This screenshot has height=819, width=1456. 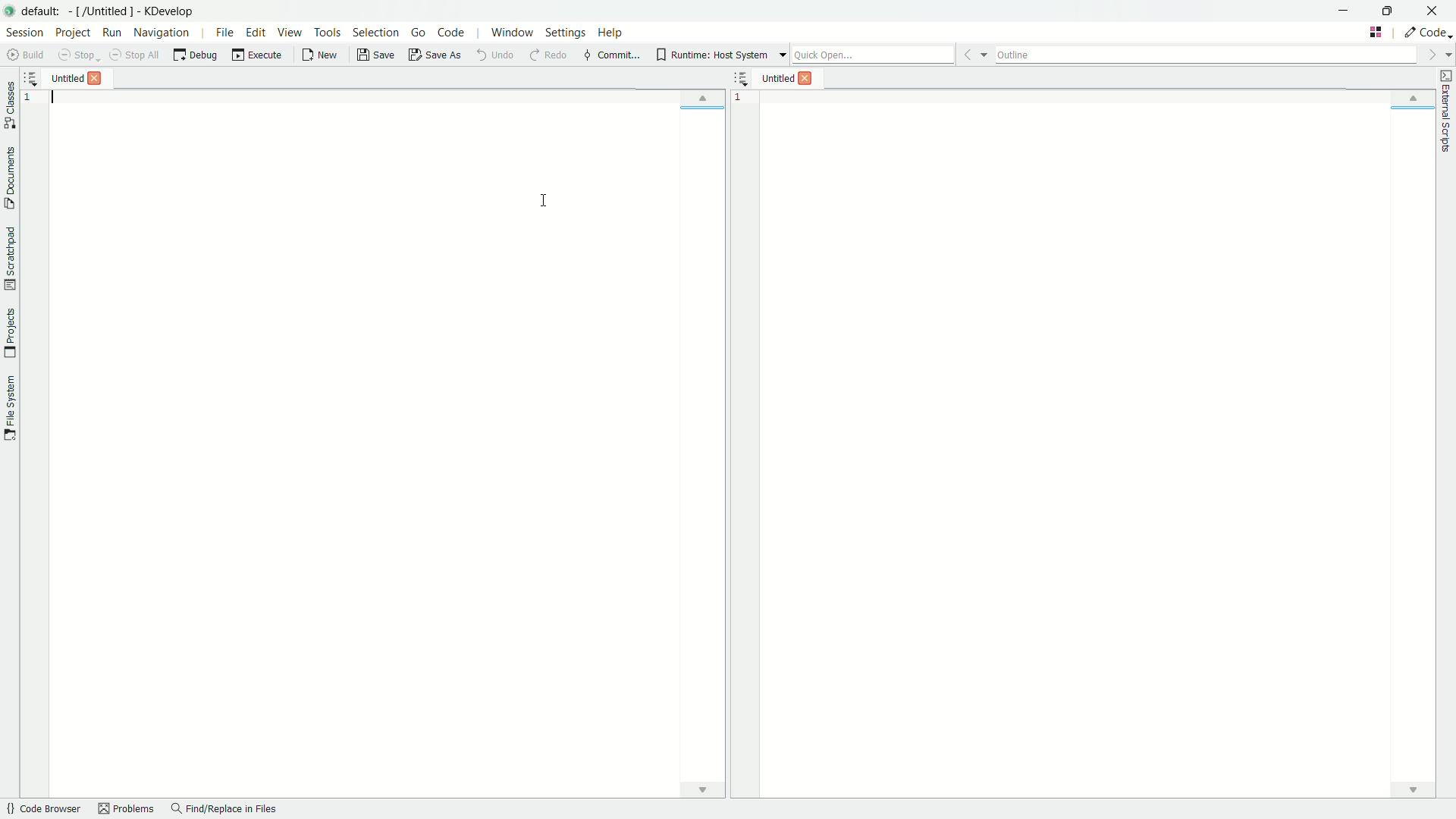 What do you see at coordinates (290, 31) in the screenshot?
I see `view menu` at bounding box center [290, 31].